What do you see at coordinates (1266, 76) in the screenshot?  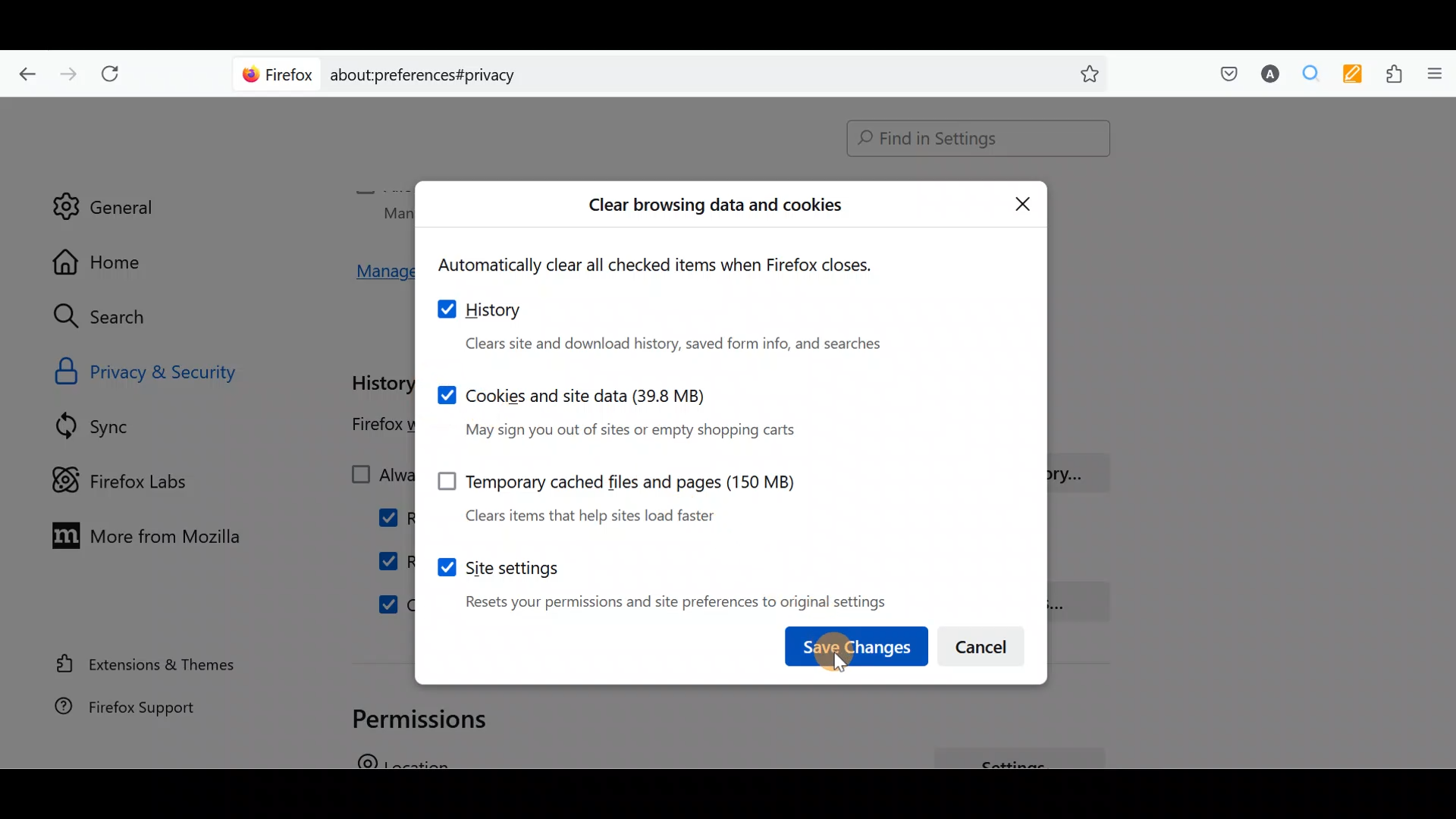 I see `Account name` at bounding box center [1266, 76].